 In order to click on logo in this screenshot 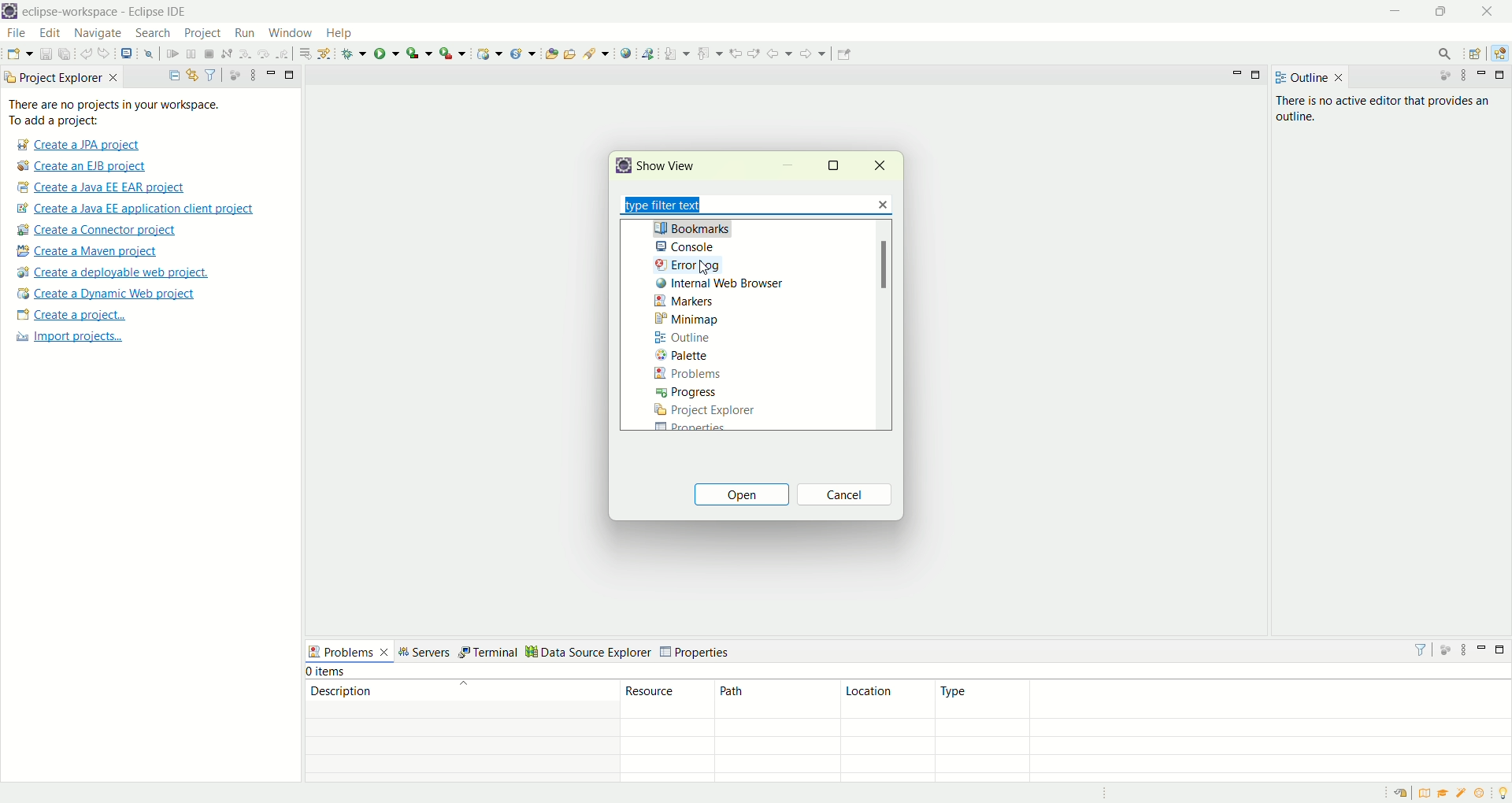, I will do `click(9, 11)`.